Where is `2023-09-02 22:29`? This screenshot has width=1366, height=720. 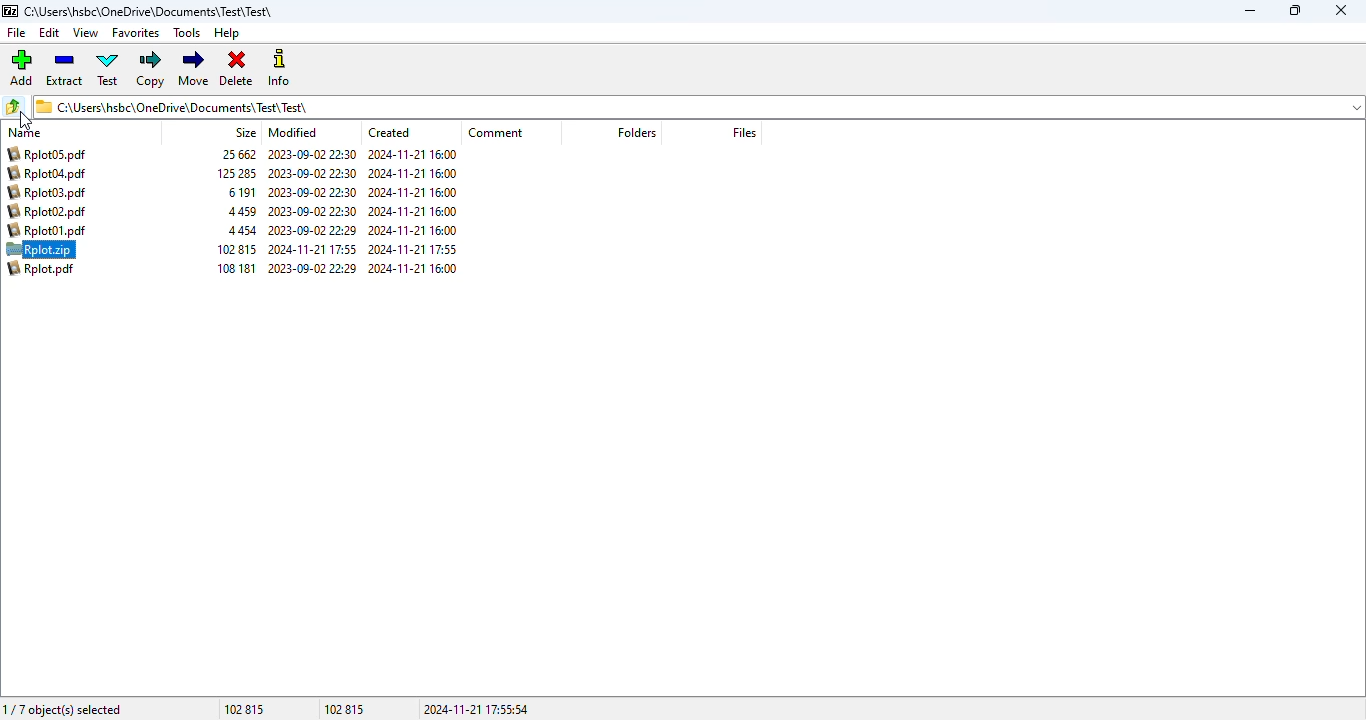 2023-09-02 22:29 is located at coordinates (312, 230).